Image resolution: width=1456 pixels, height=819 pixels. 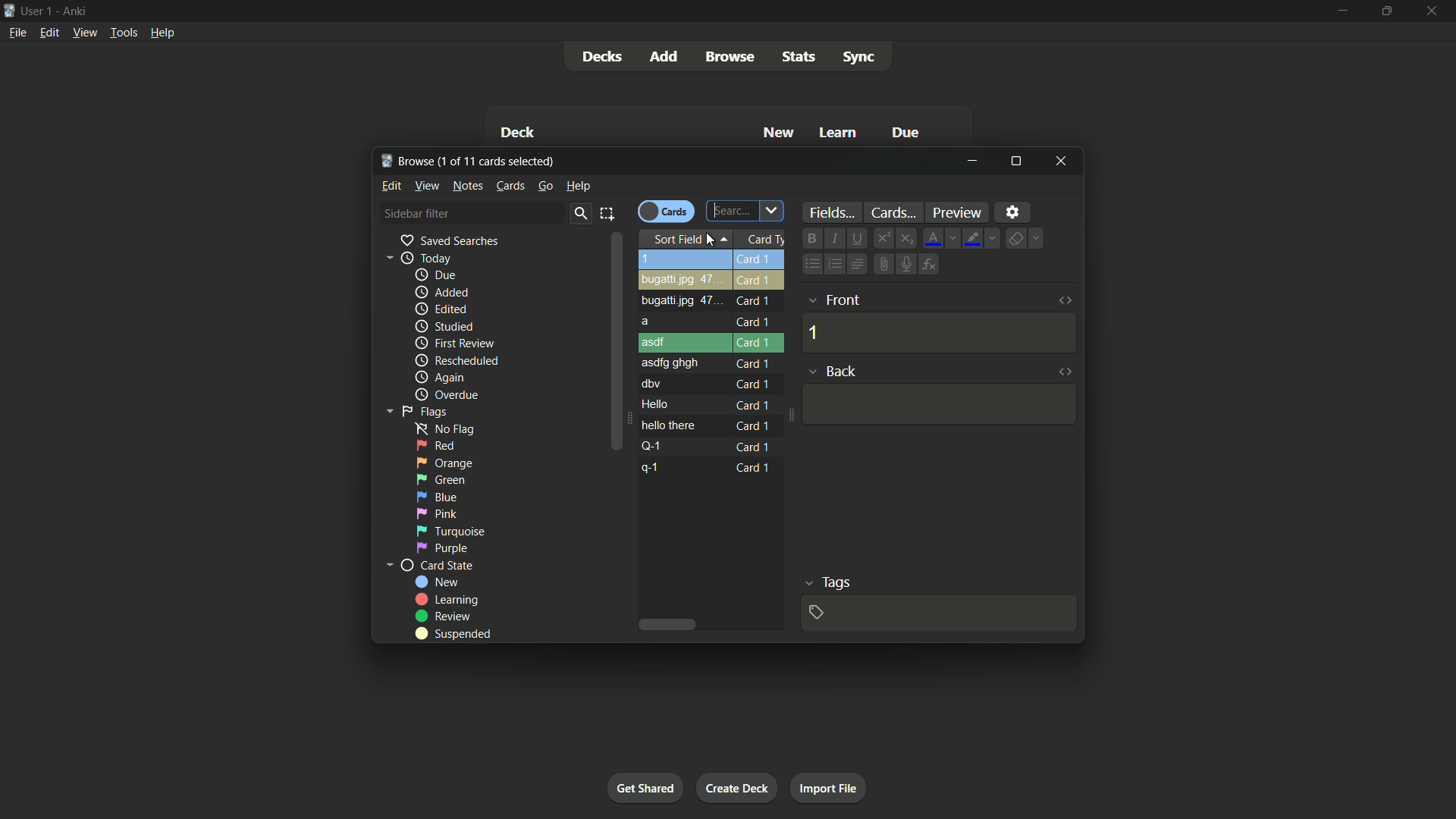 I want to click on card 1, so click(x=752, y=384).